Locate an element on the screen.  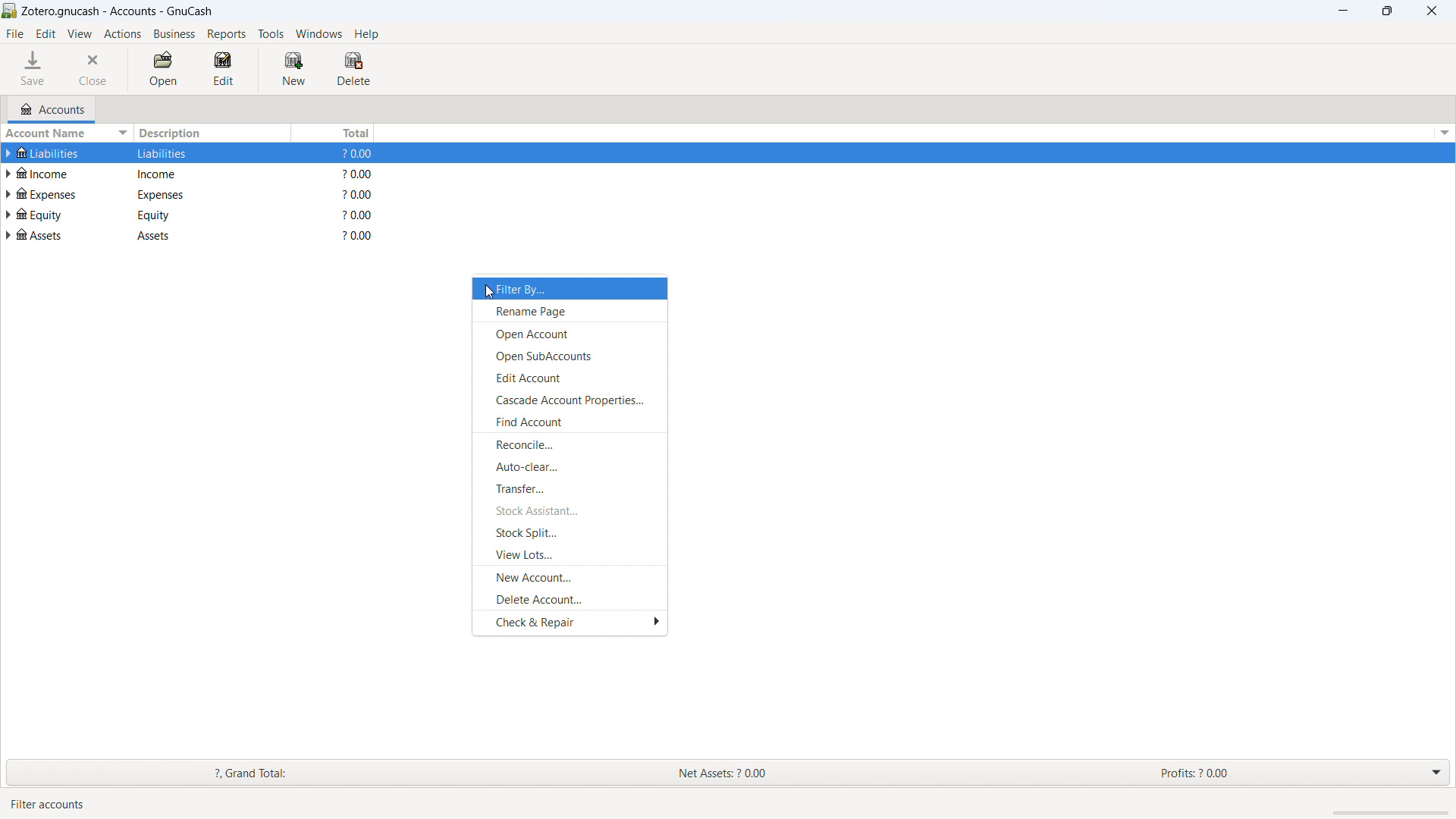
delete is located at coordinates (353, 69).